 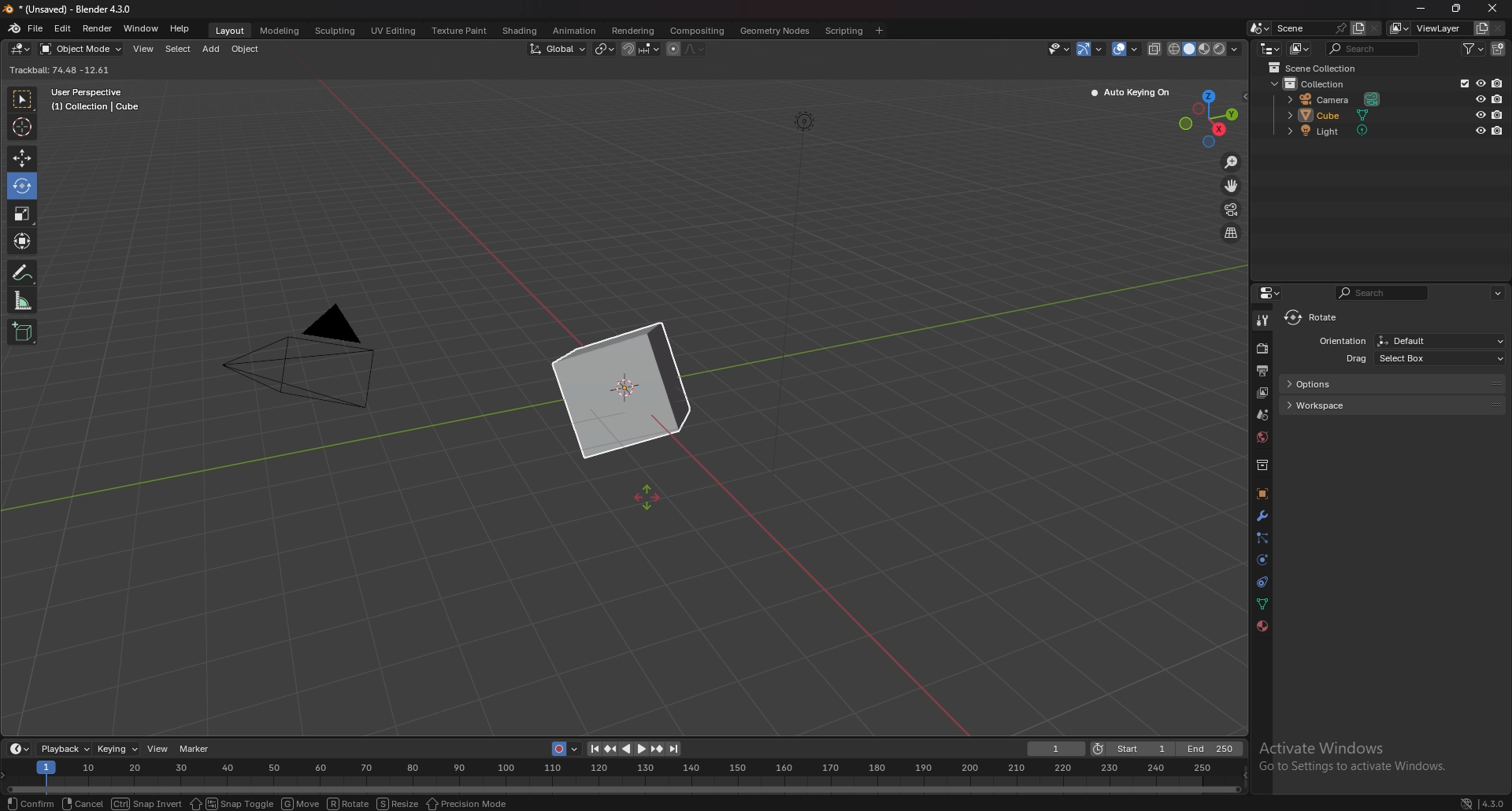 I want to click on add scene, so click(x=1358, y=28).